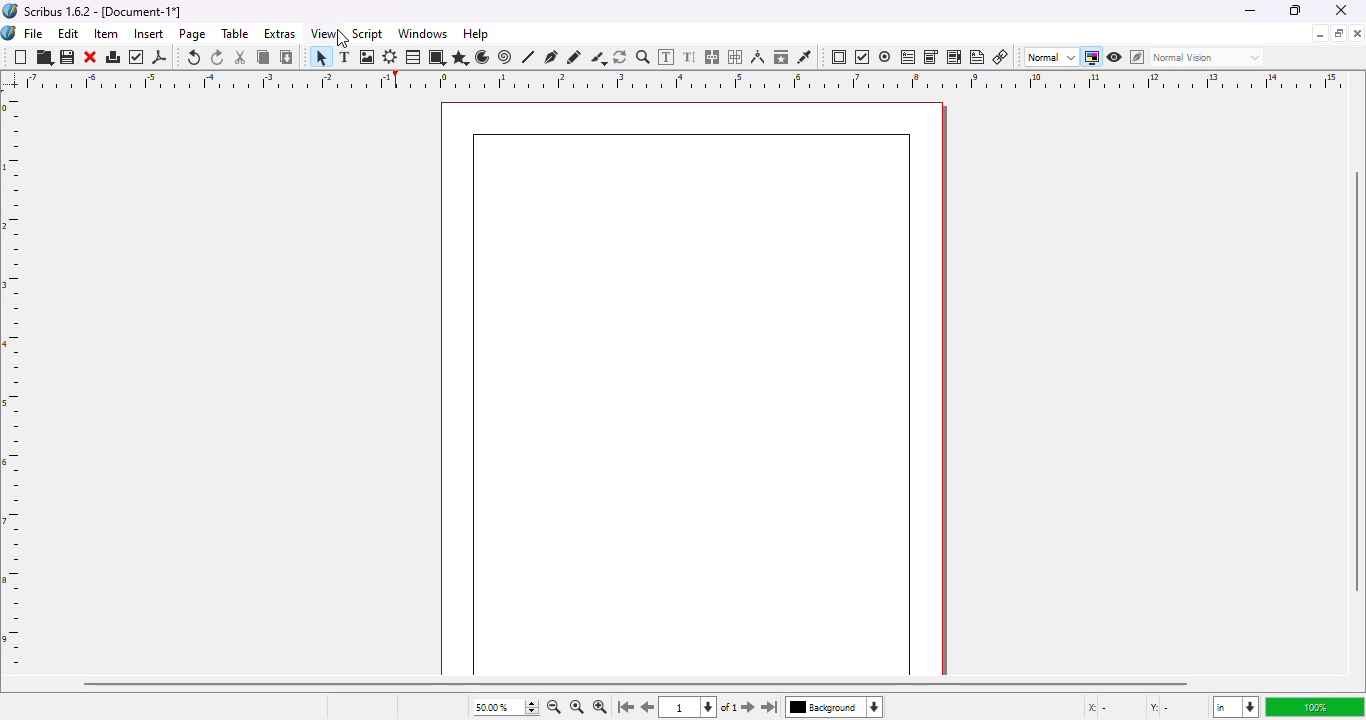 This screenshot has width=1366, height=720. Describe the element at coordinates (9, 33) in the screenshot. I see `logo` at that location.